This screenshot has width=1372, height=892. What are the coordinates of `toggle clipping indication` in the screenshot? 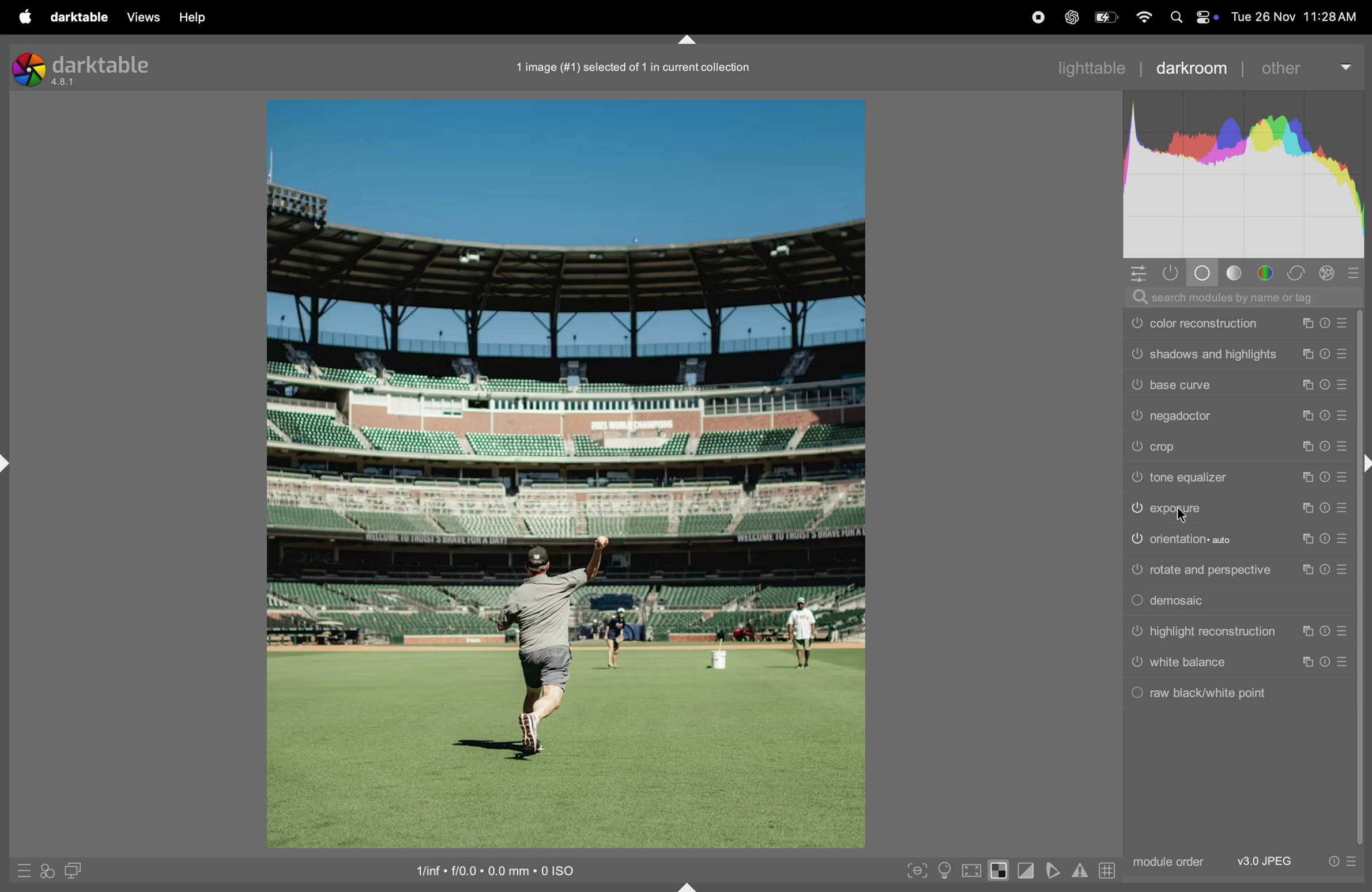 It's located at (1028, 871).